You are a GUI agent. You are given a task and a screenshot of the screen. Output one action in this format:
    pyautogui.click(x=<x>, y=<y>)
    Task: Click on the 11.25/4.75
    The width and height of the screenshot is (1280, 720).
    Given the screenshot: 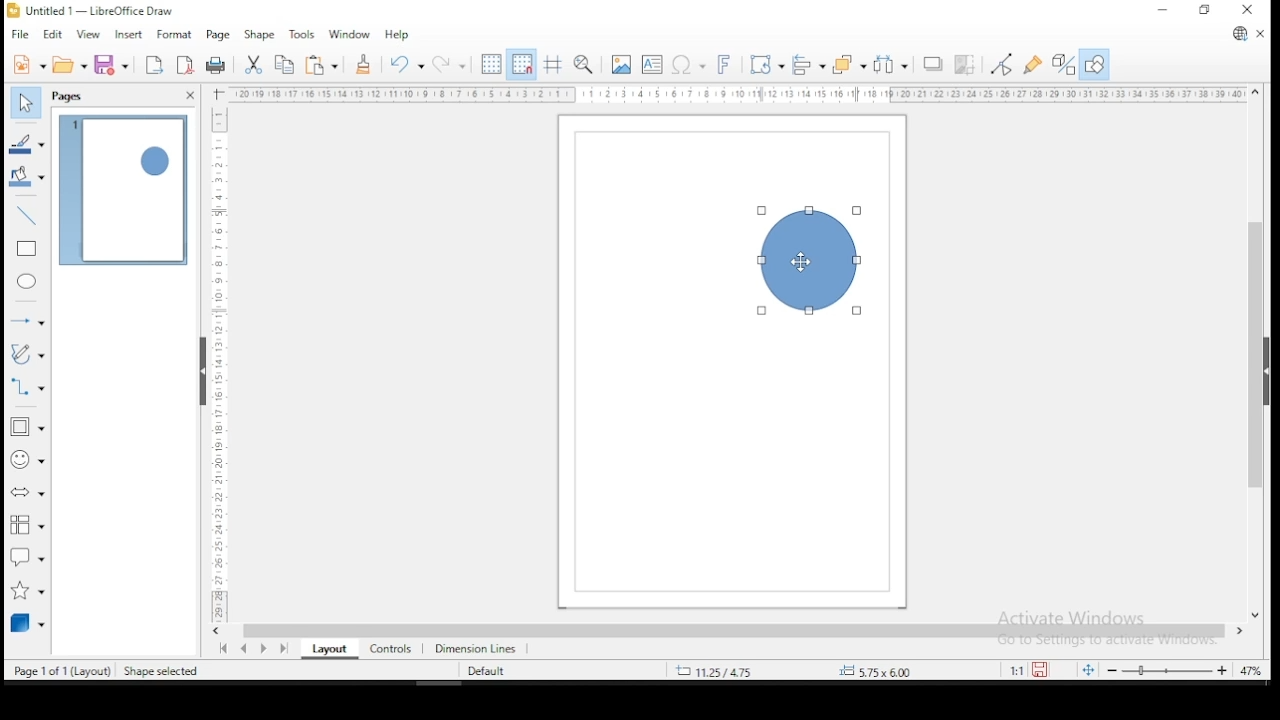 What is the action you would take?
    pyautogui.click(x=719, y=670)
    